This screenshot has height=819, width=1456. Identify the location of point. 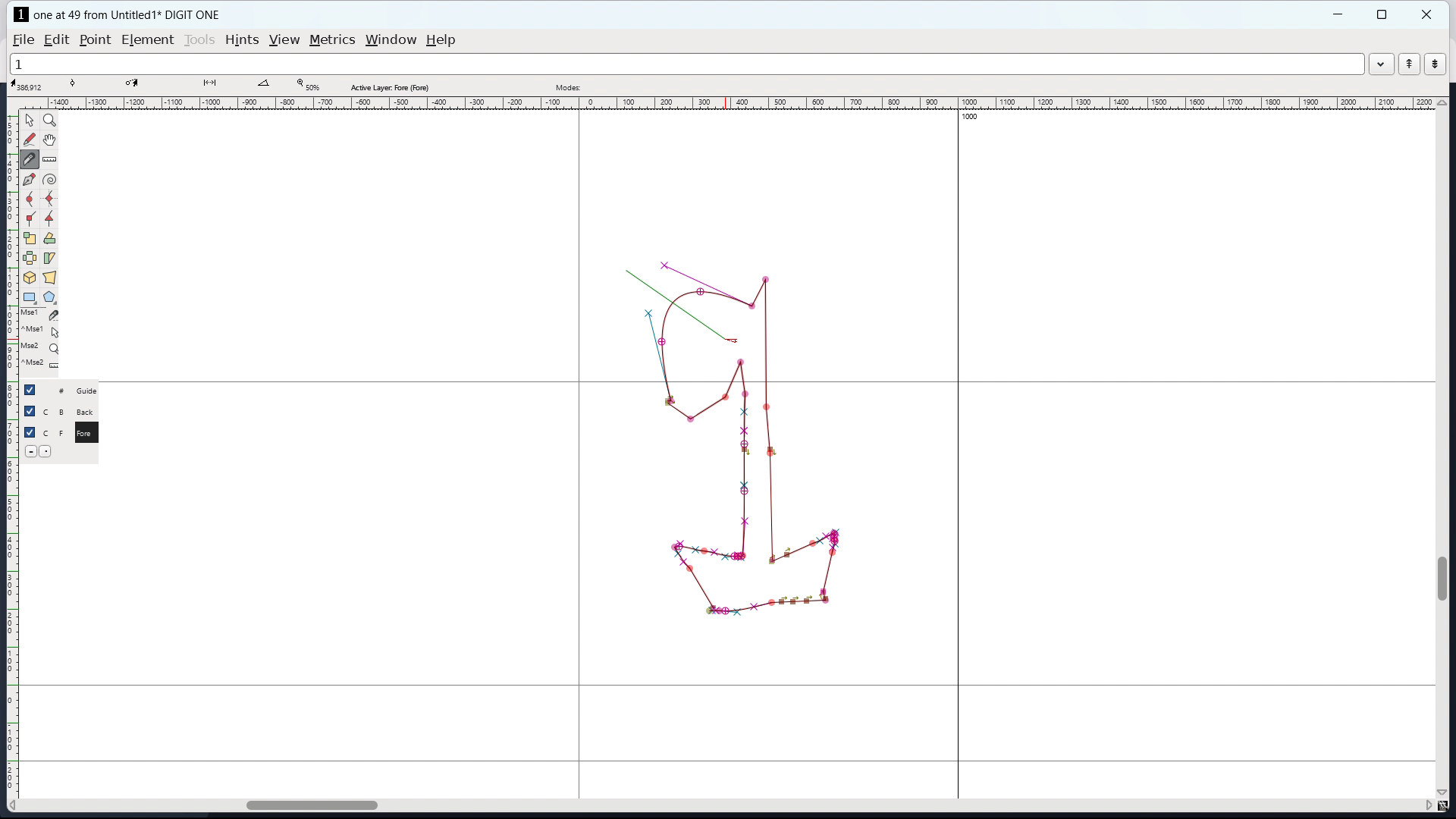
(96, 40).